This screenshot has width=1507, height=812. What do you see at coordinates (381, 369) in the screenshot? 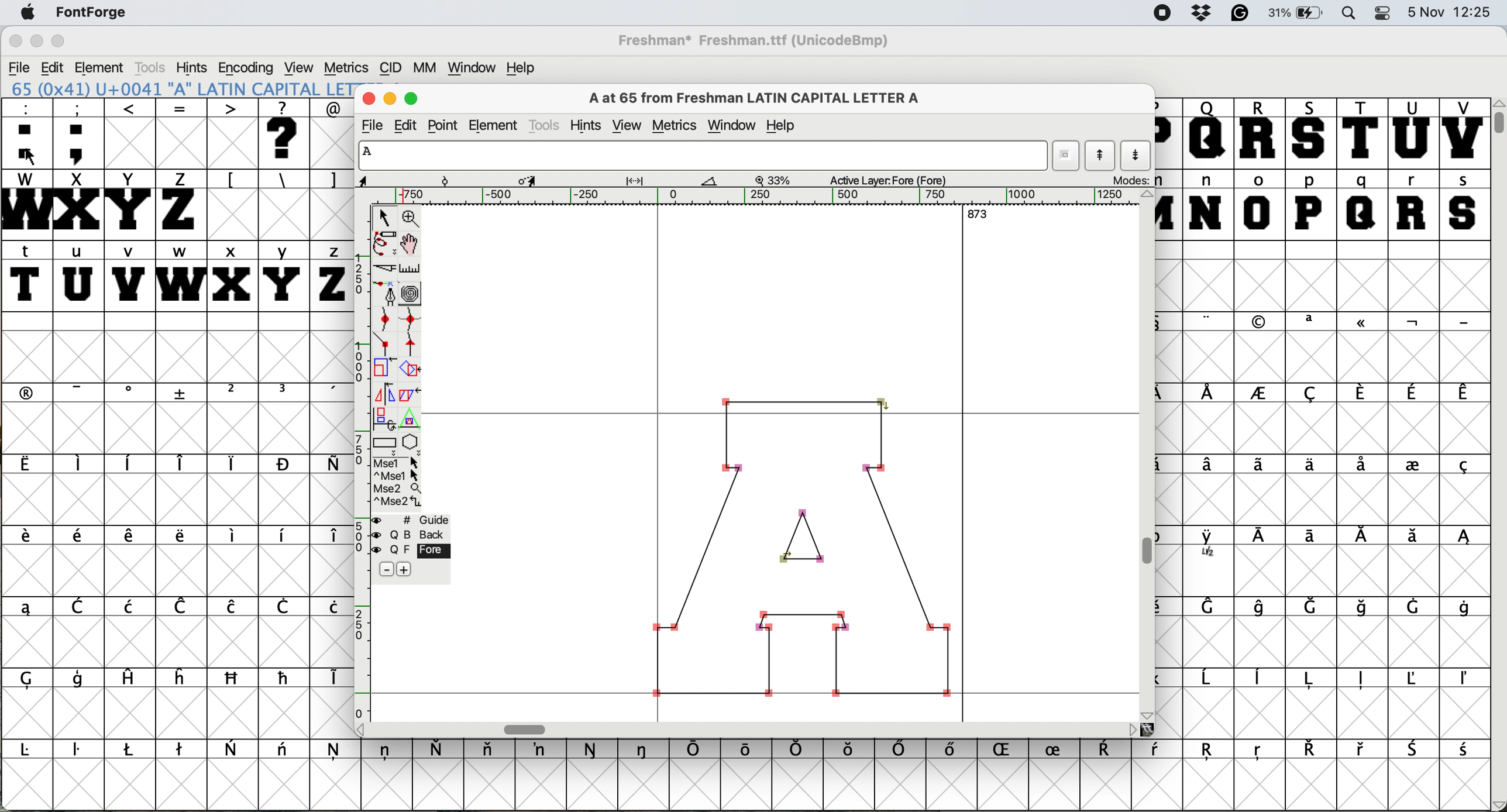
I see `scale the selection` at bounding box center [381, 369].